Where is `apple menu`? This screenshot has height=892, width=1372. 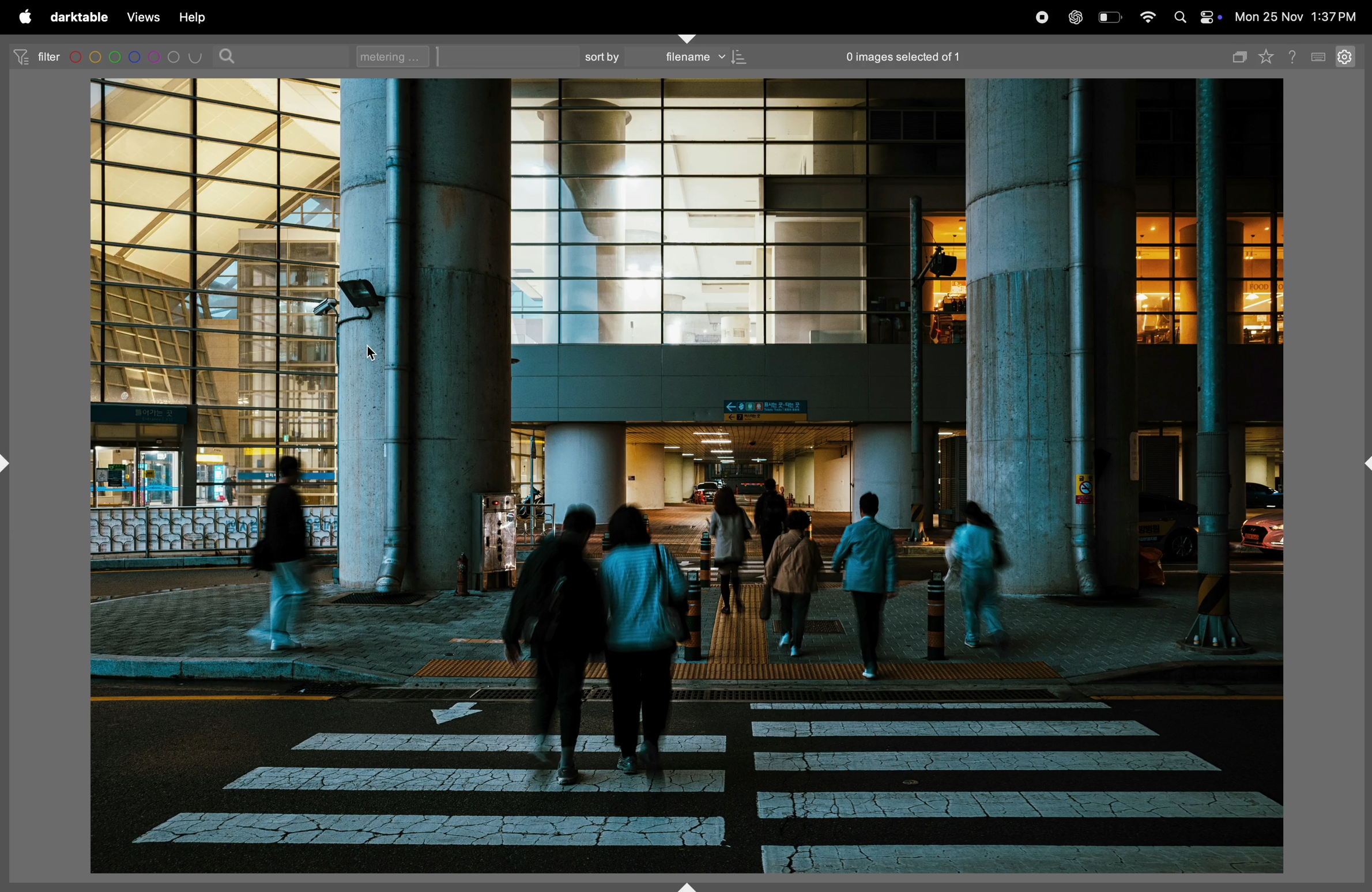 apple menu is located at coordinates (25, 18).